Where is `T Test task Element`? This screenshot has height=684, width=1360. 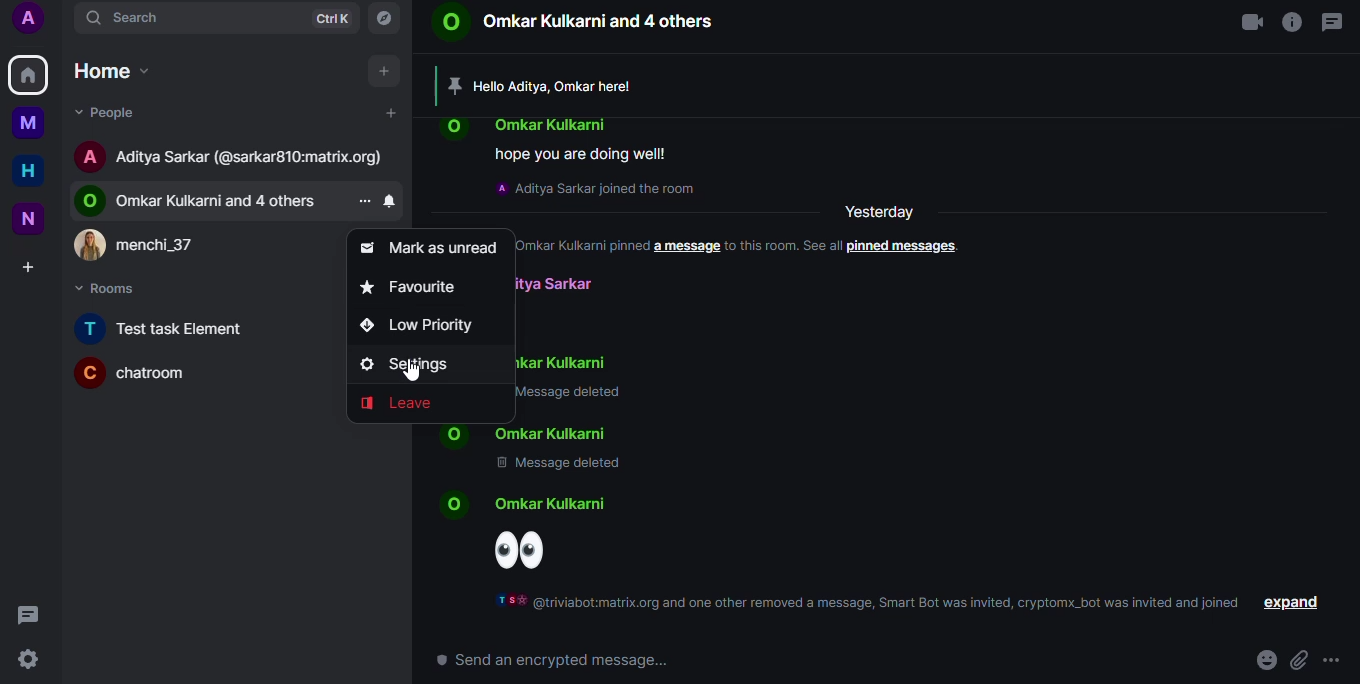 T Test task Element is located at coordinates (166, 328).